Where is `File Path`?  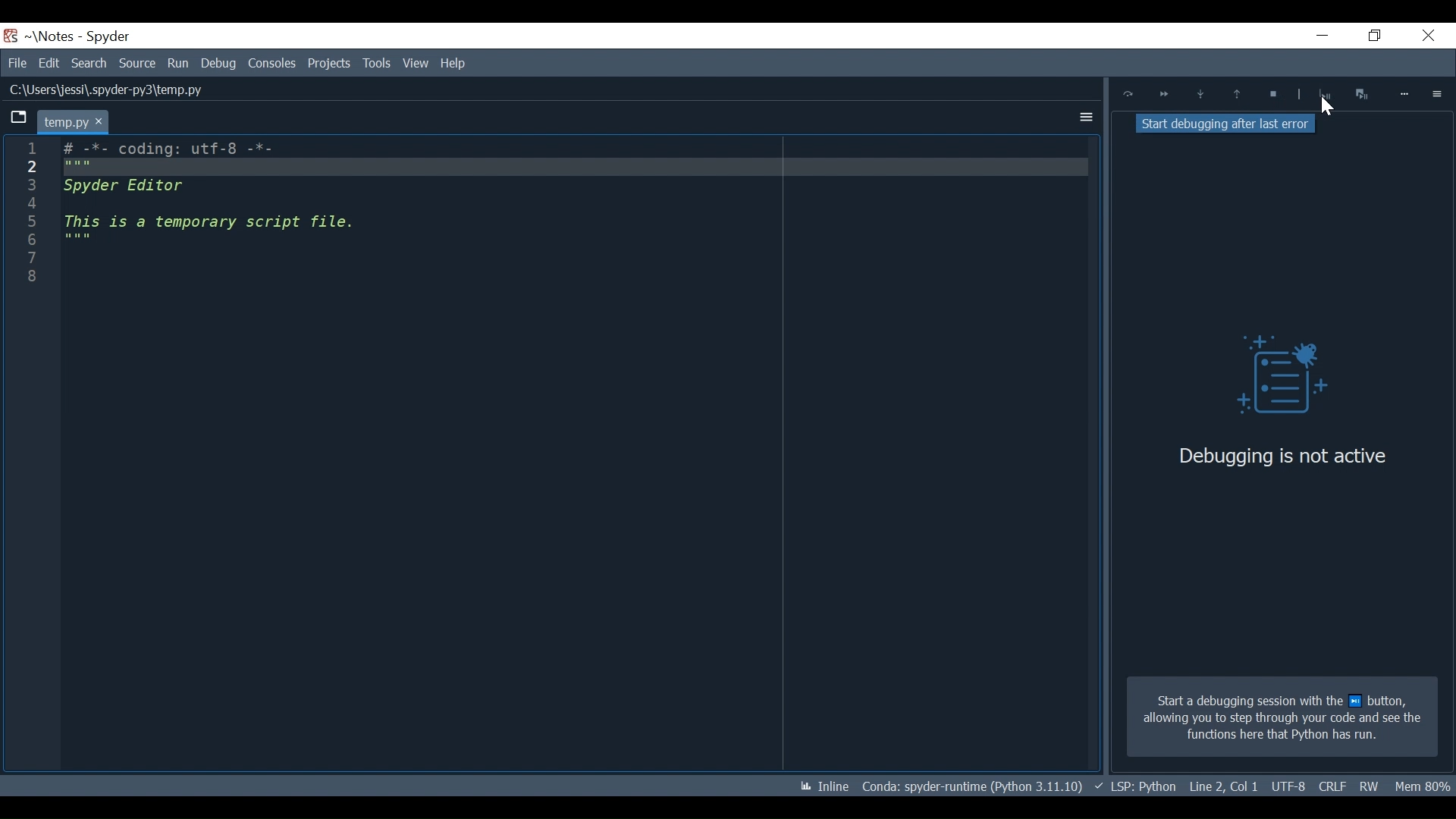 File Path is located at coordinates (103, 90).